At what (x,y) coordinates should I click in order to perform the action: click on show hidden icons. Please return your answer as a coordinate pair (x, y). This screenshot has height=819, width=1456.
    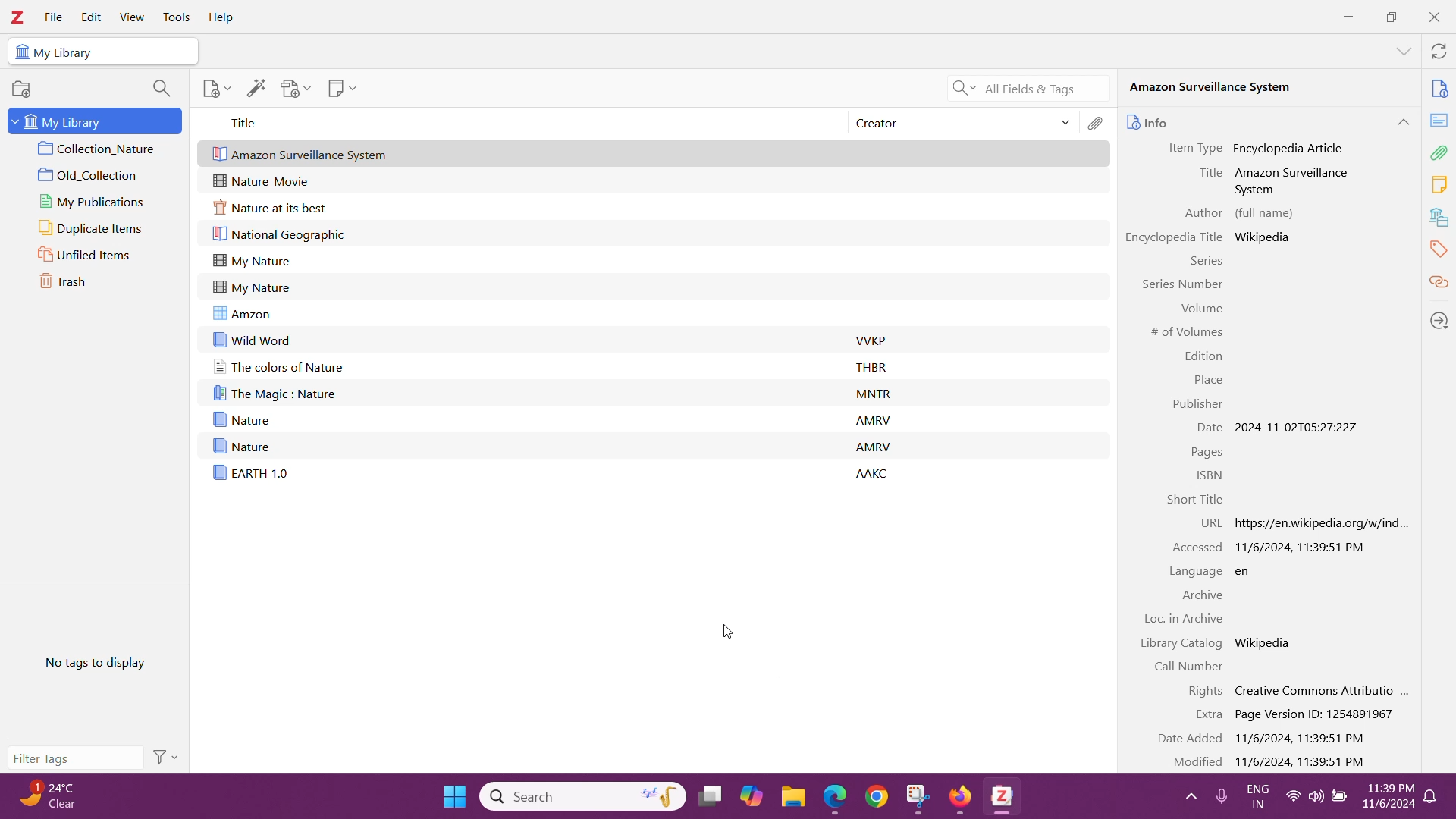
    Looking at the image, I should click on (1188, 796).